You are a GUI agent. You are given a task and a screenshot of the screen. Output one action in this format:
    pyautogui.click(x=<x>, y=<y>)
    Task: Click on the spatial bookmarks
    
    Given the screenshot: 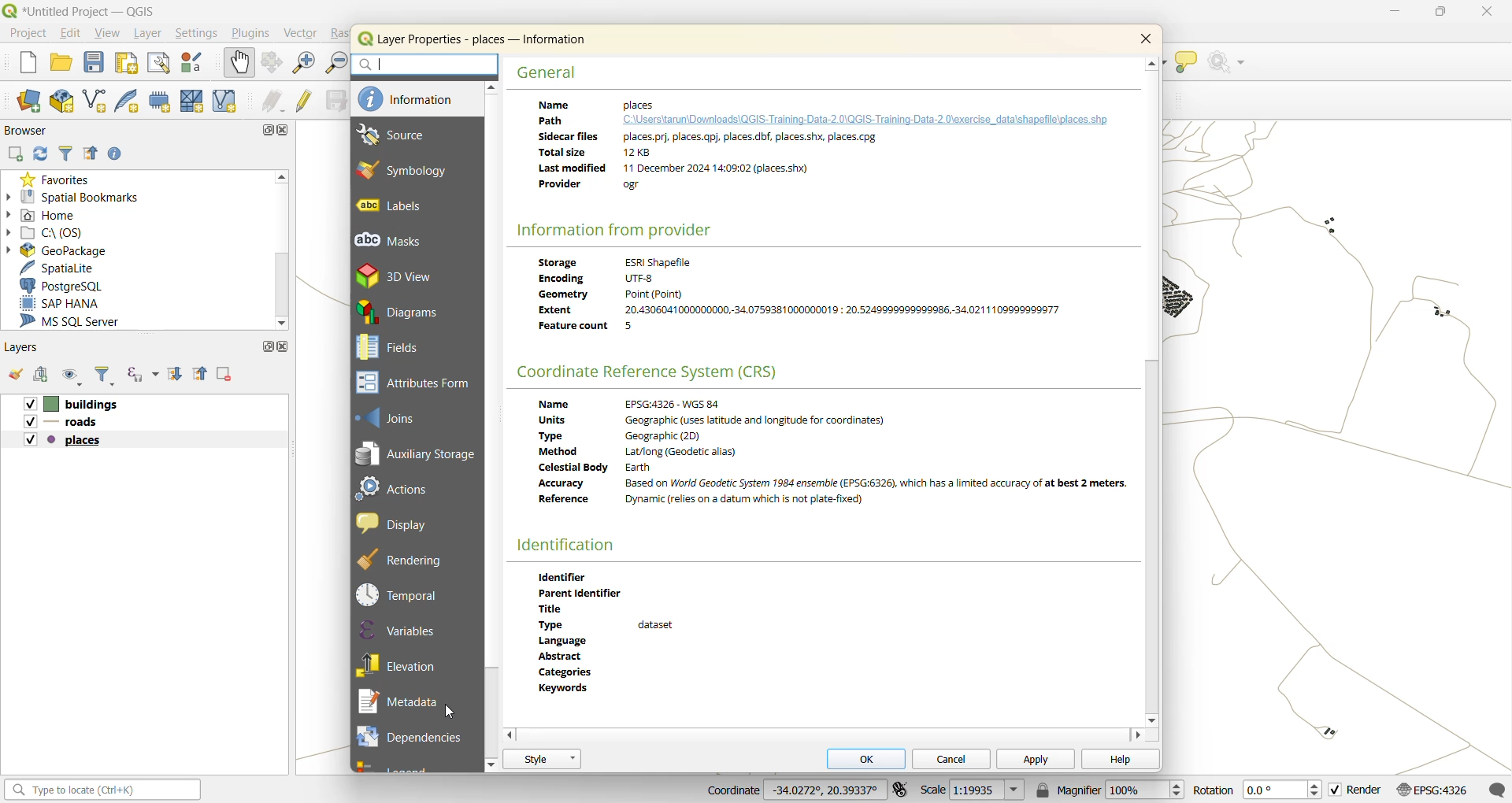 What is the action you would take?
    pyautogui.click(x=81, y=198)
    